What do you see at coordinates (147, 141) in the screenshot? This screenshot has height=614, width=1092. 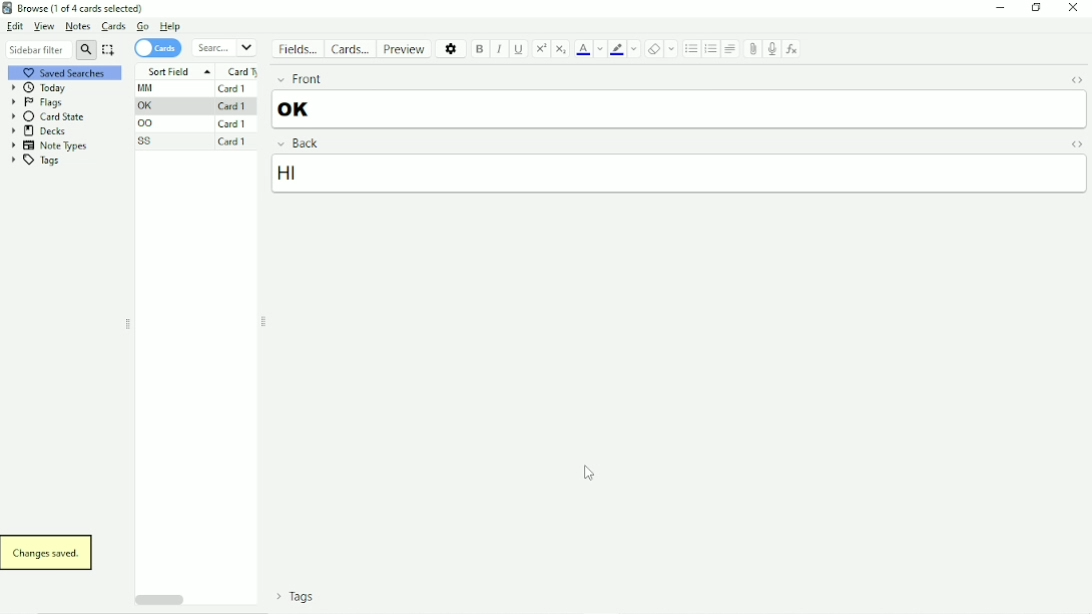 I see `SS` at bounding box center [147, 141].